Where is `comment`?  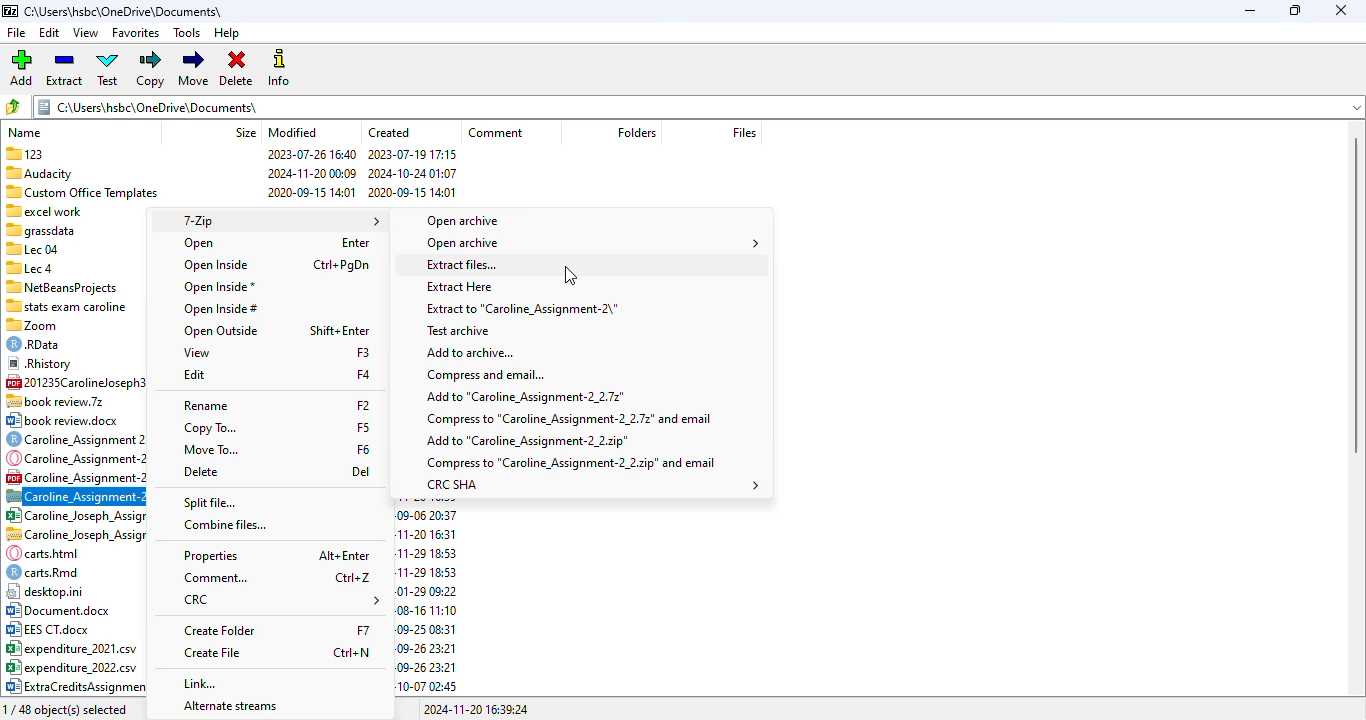 comment is located at coordinates (214, 578).